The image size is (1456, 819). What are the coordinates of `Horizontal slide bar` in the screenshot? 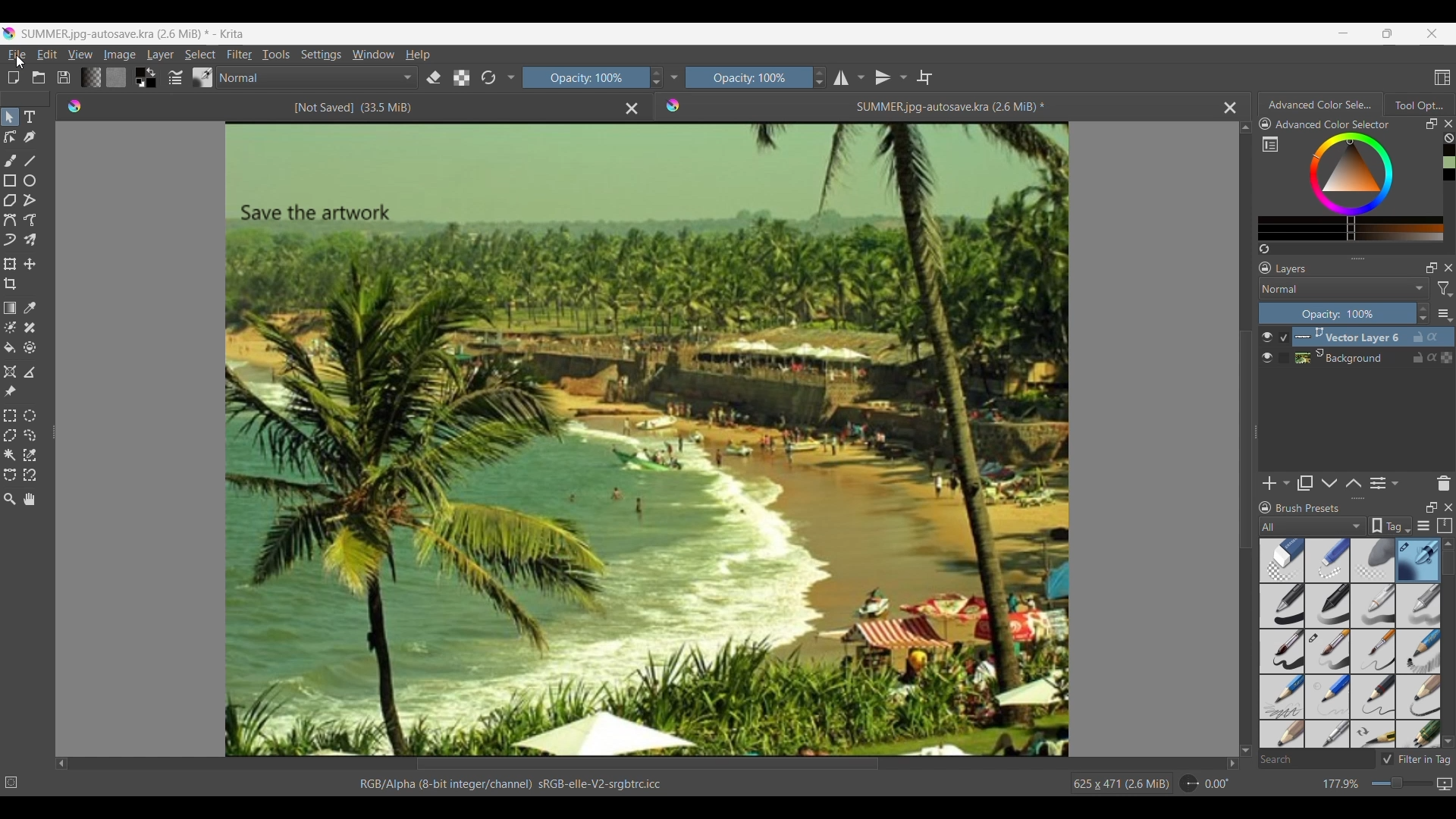 It's located at (648, 765).